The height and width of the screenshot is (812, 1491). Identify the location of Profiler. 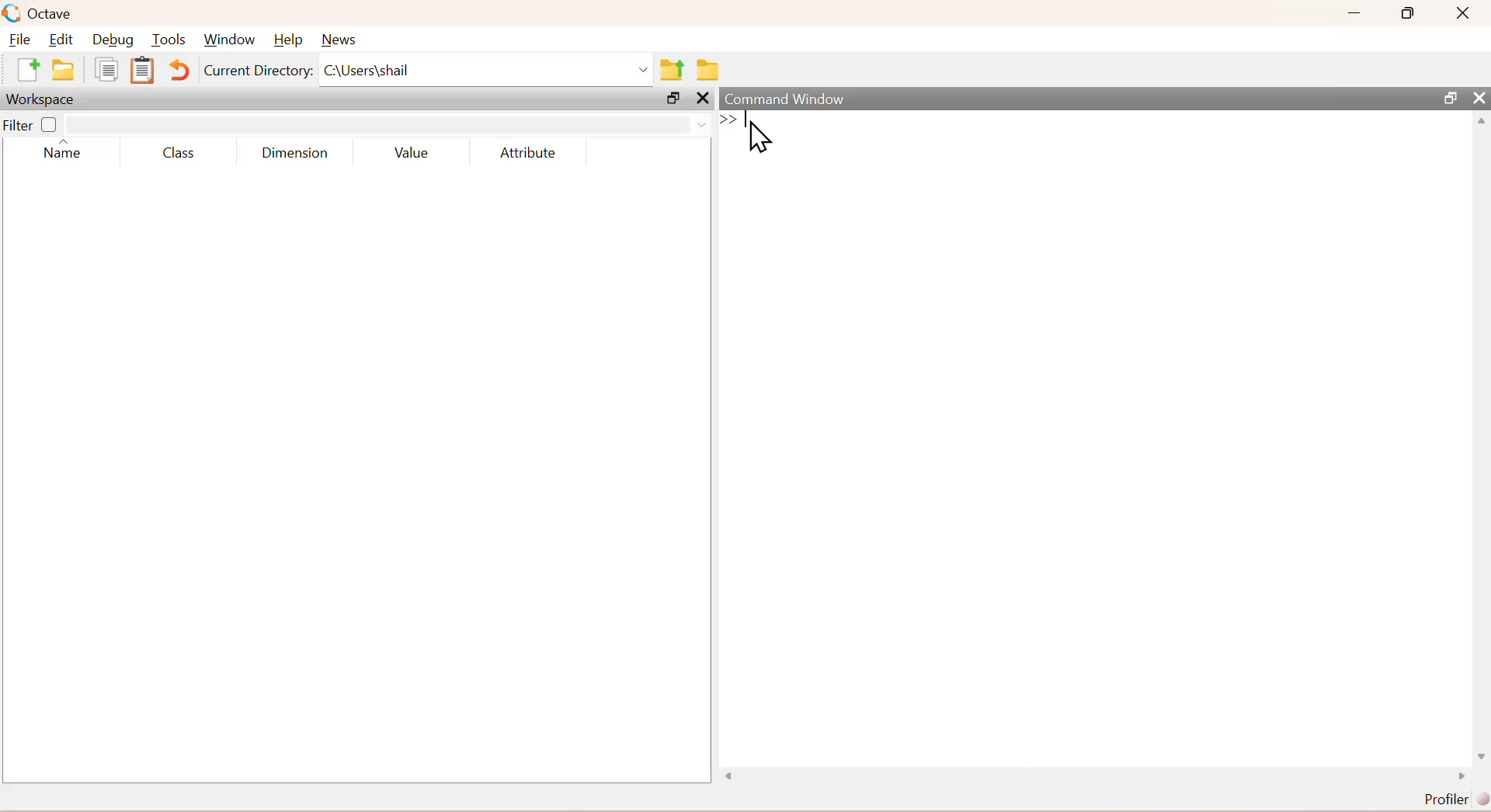
(1448, 796).